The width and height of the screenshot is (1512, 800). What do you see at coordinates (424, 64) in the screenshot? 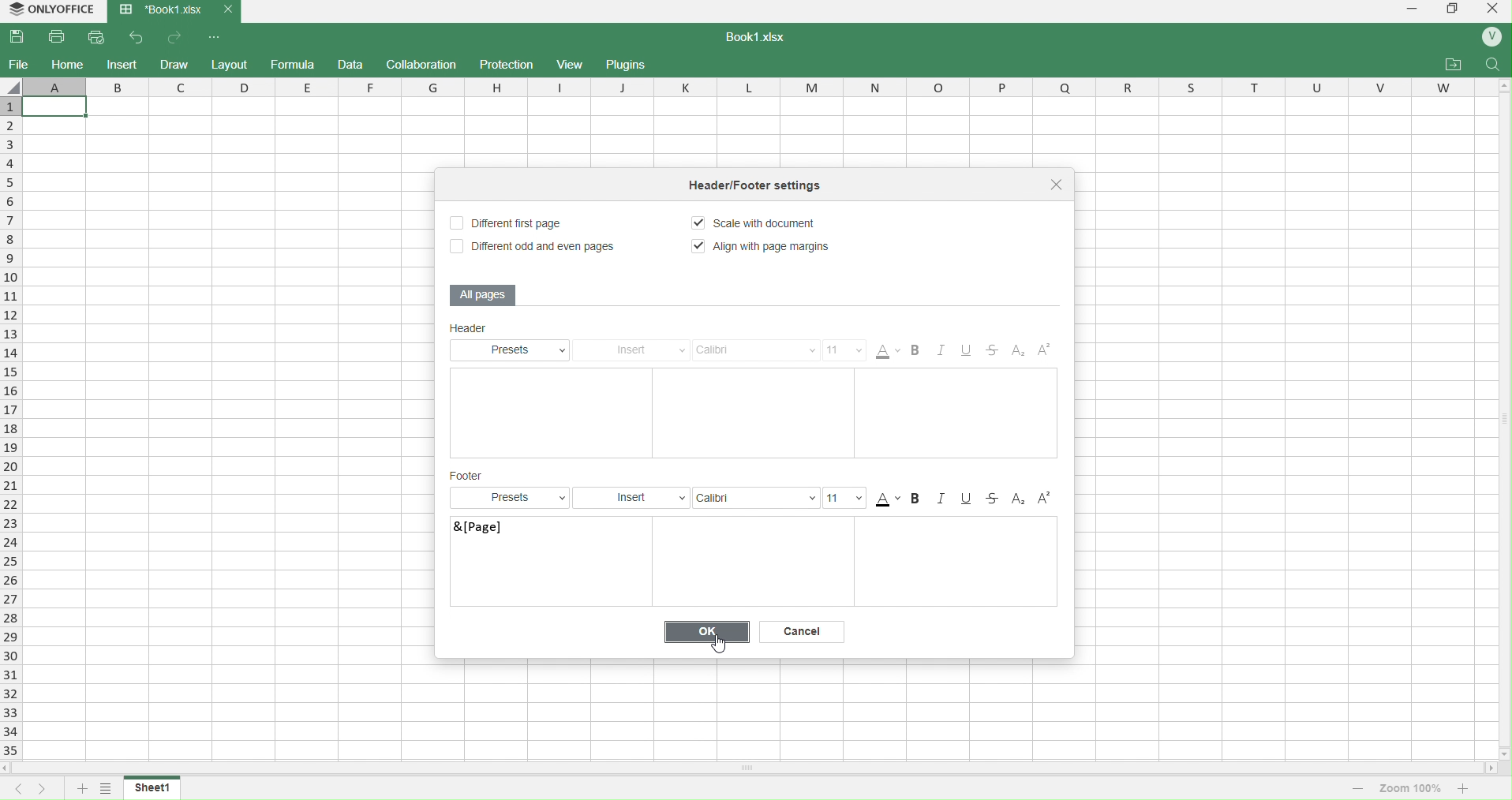
I see `collaboration` at bounding box center [424, 64].